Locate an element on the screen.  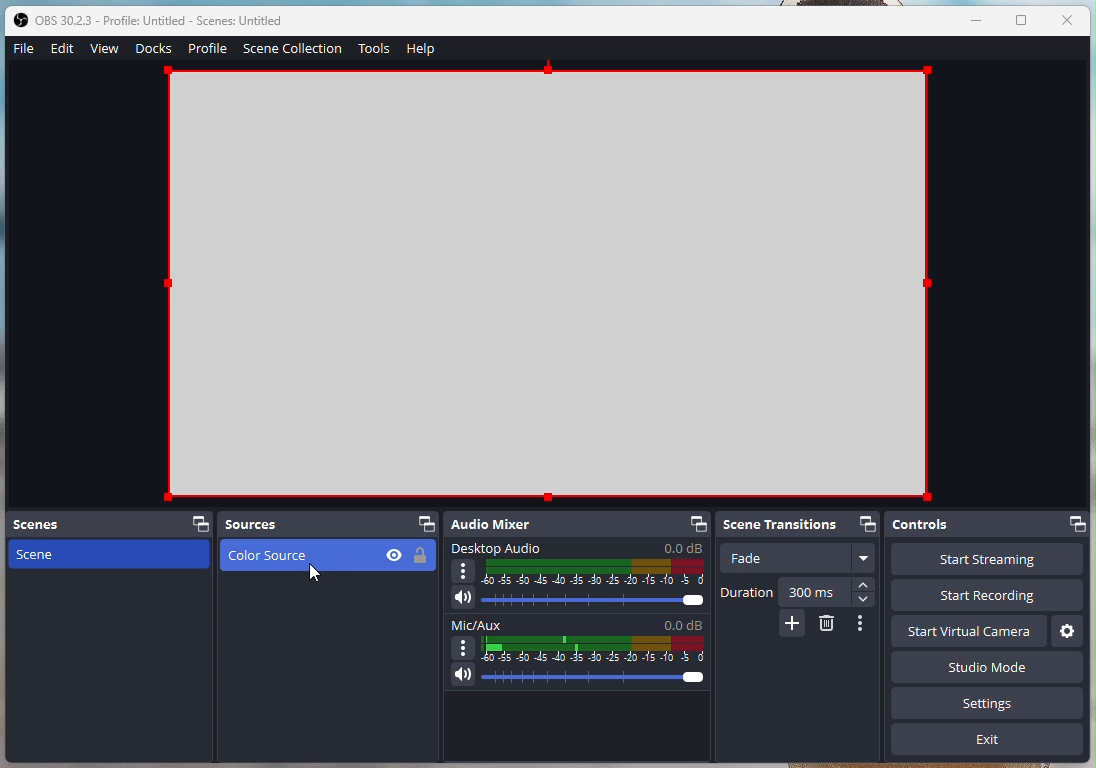
Color Source is located at coordinates (324, 559).